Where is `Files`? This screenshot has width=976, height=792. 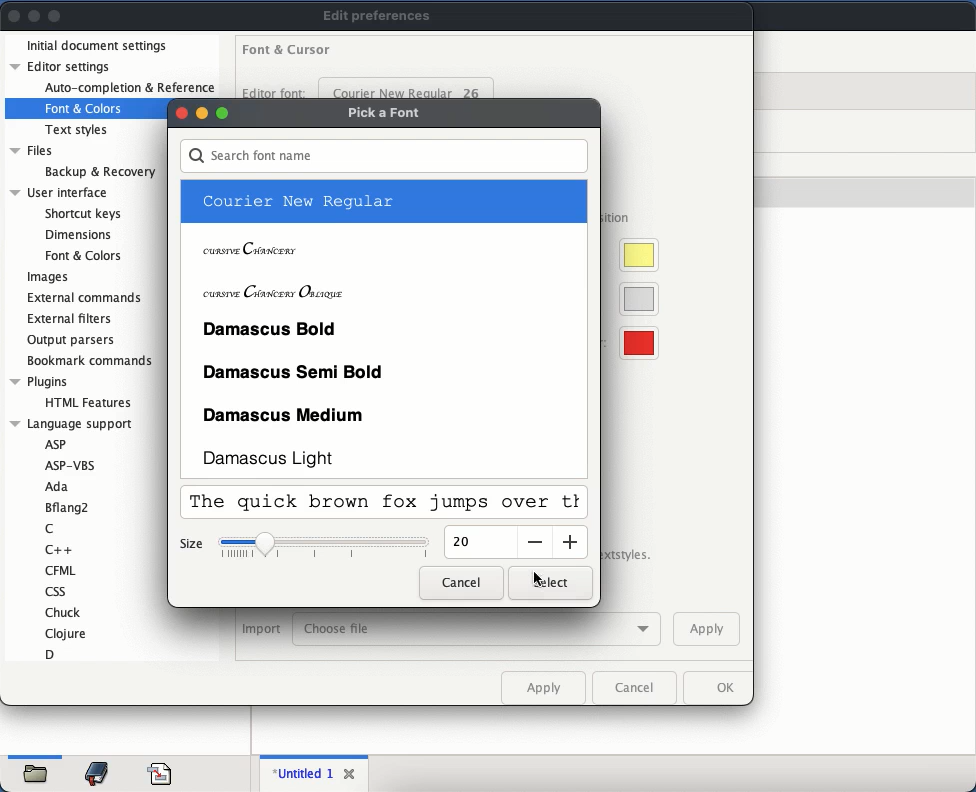
Files is located at coordinates (32, 150).